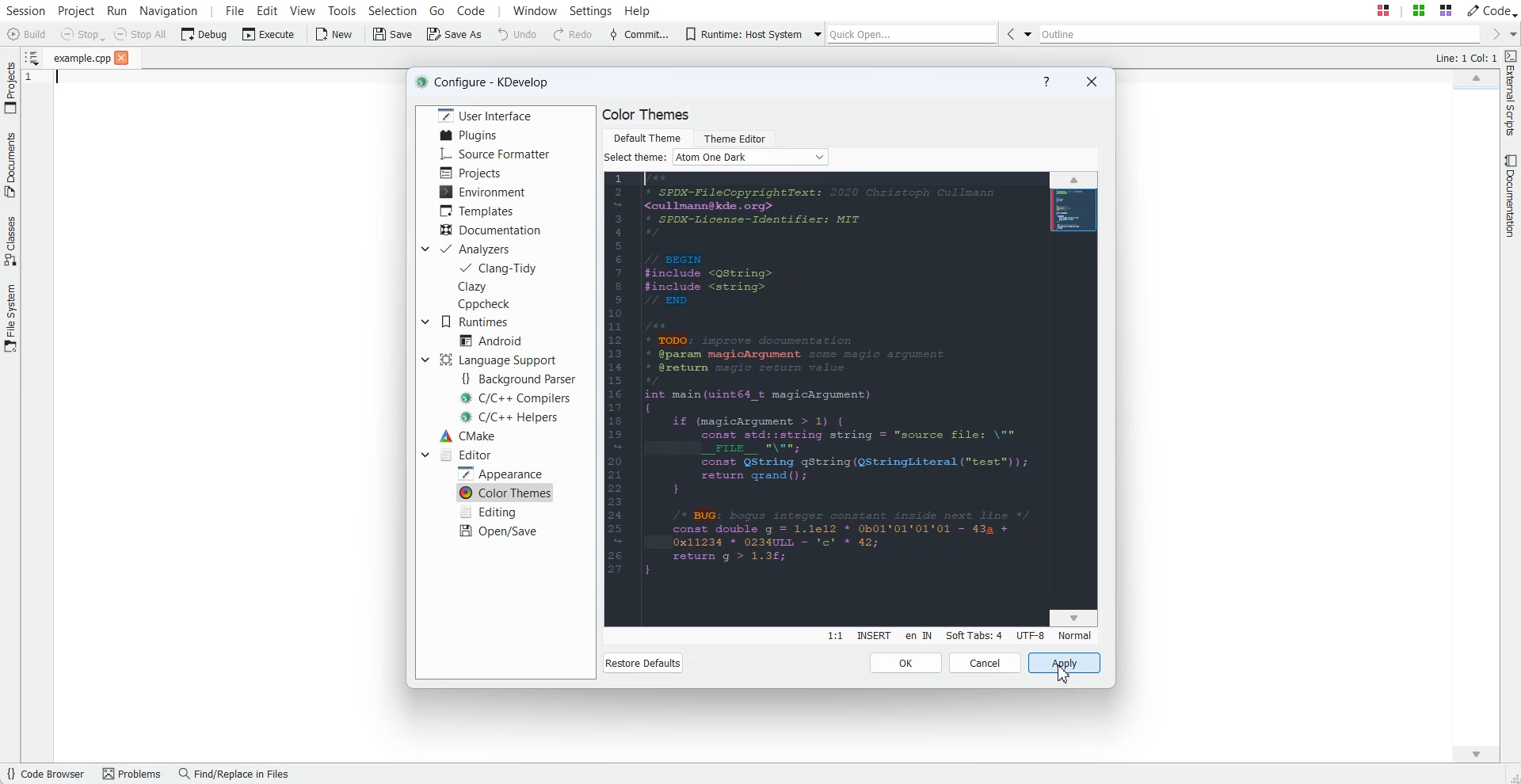 The width and height of the screenshot is (1521, 784). I want to click on Help, so click(1046, 82).